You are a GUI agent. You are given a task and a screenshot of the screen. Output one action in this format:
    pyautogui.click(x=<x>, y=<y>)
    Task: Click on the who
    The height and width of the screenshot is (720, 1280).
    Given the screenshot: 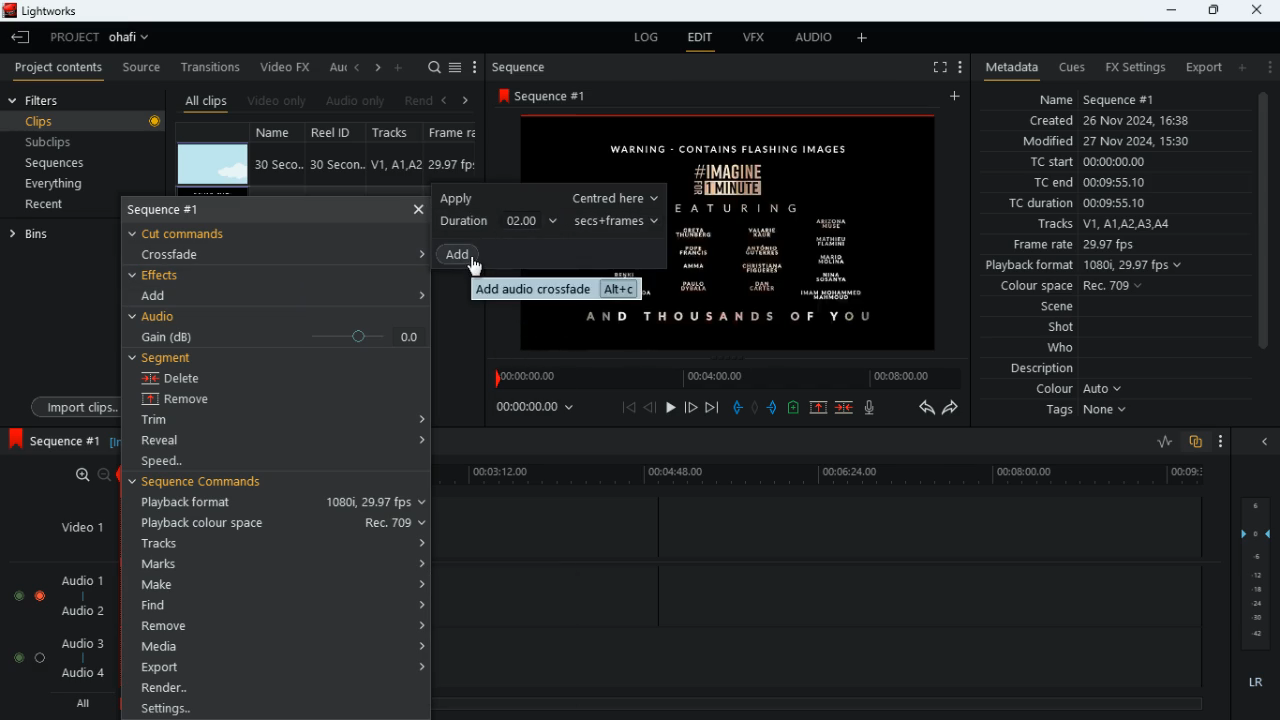 What is the action you would take?
    pyautogui.click(x=1065, y=348)
    